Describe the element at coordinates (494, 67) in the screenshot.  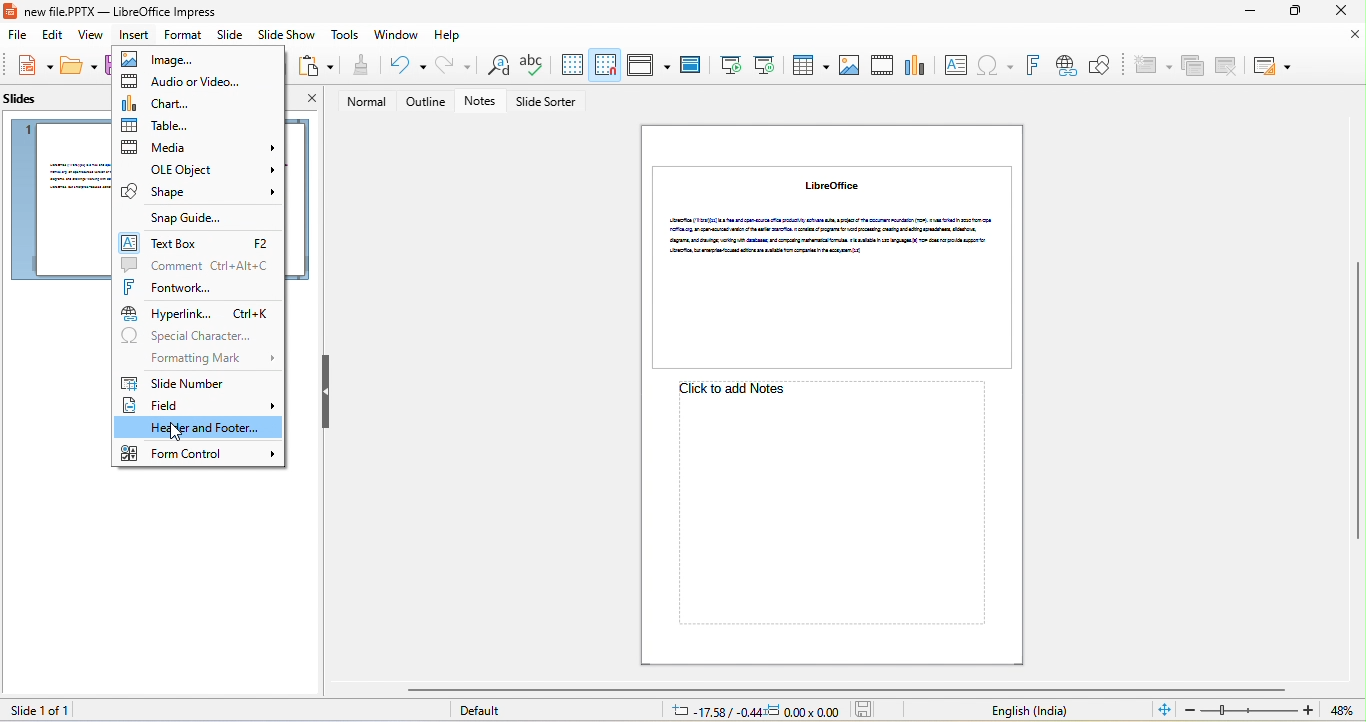
I see `find and replace` at that location.